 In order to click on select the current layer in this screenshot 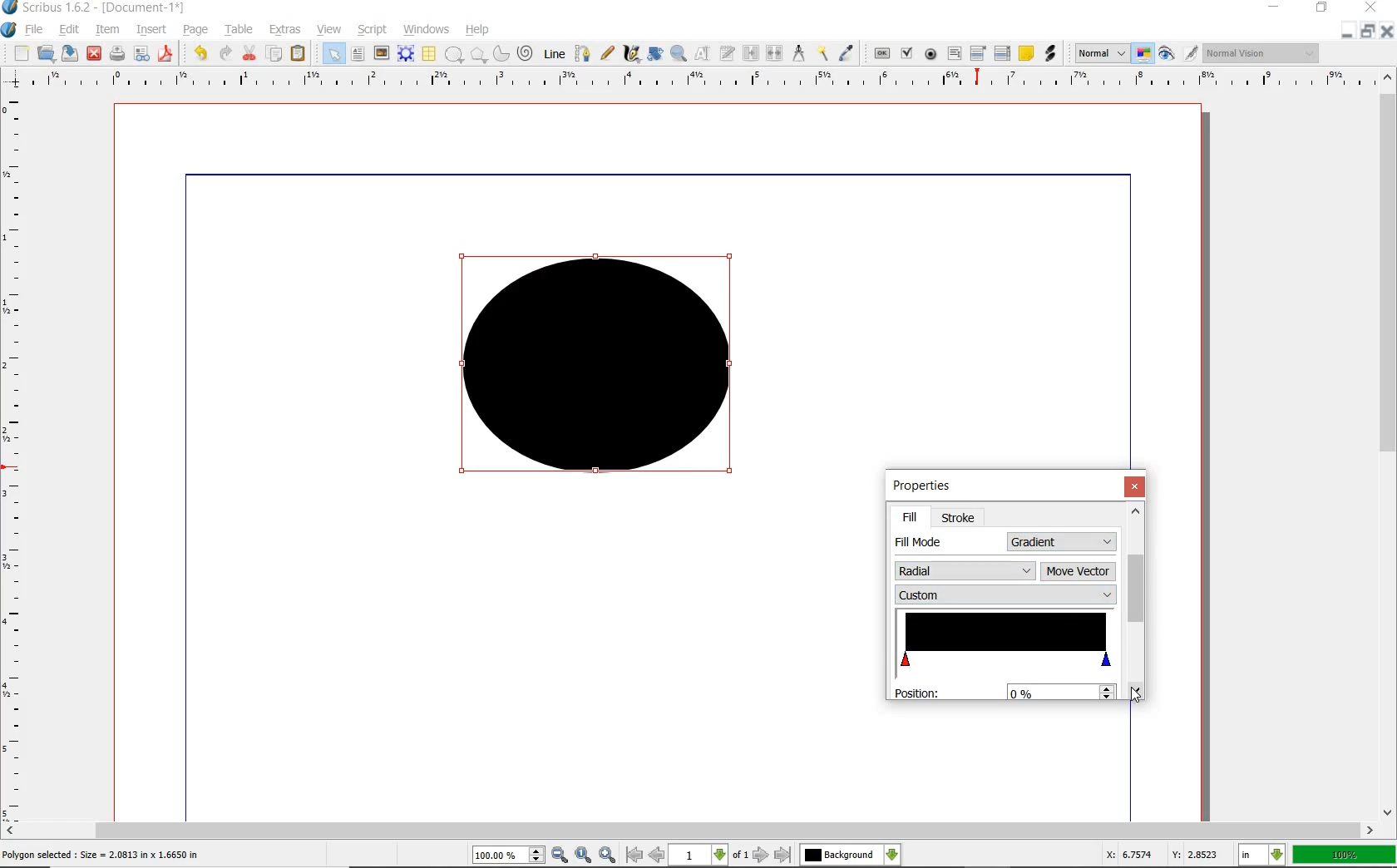, I will do `click(892, 855)`.